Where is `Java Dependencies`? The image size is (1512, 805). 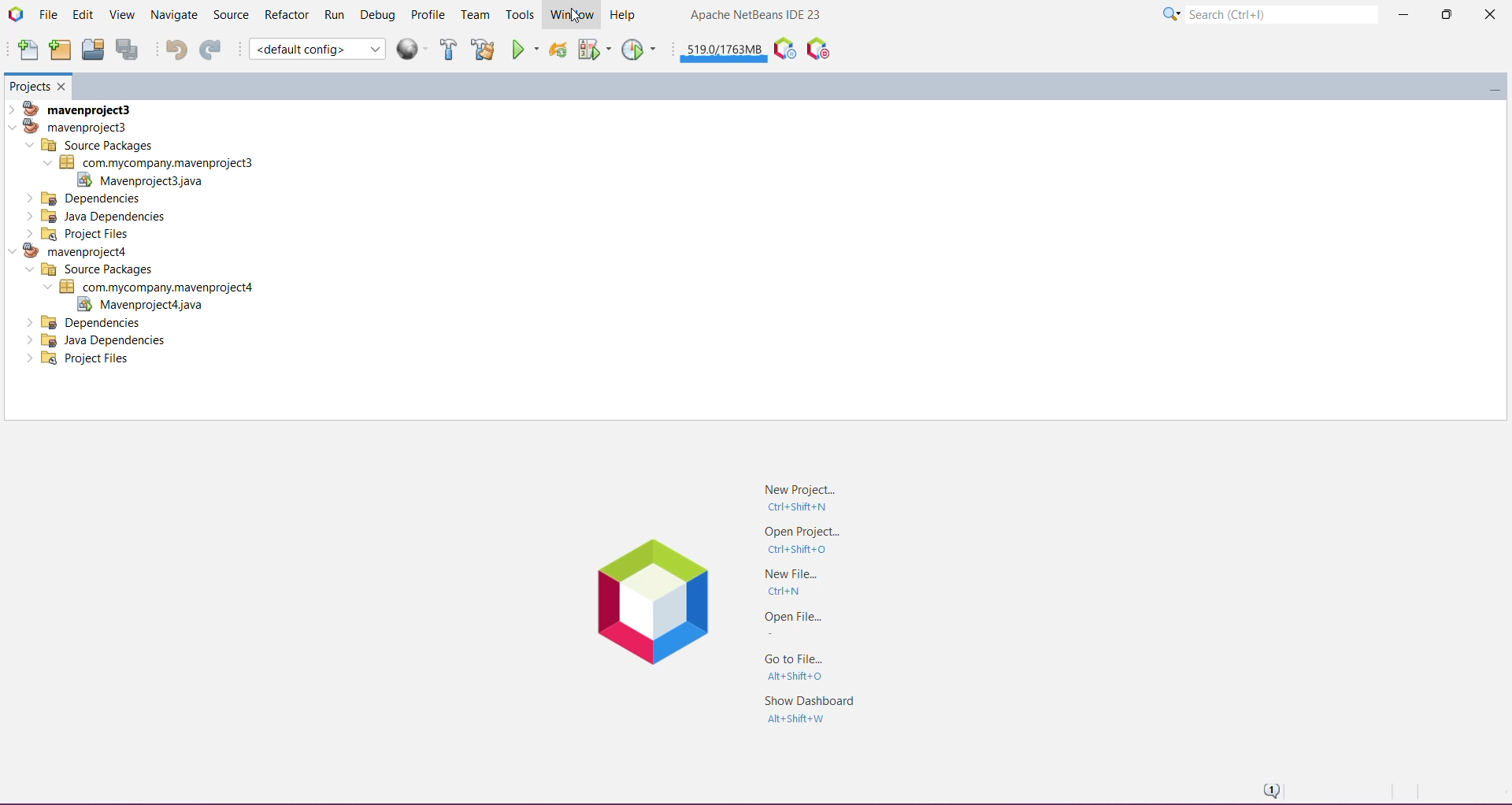 Java Dependencies is located at coordinates (100, 340).